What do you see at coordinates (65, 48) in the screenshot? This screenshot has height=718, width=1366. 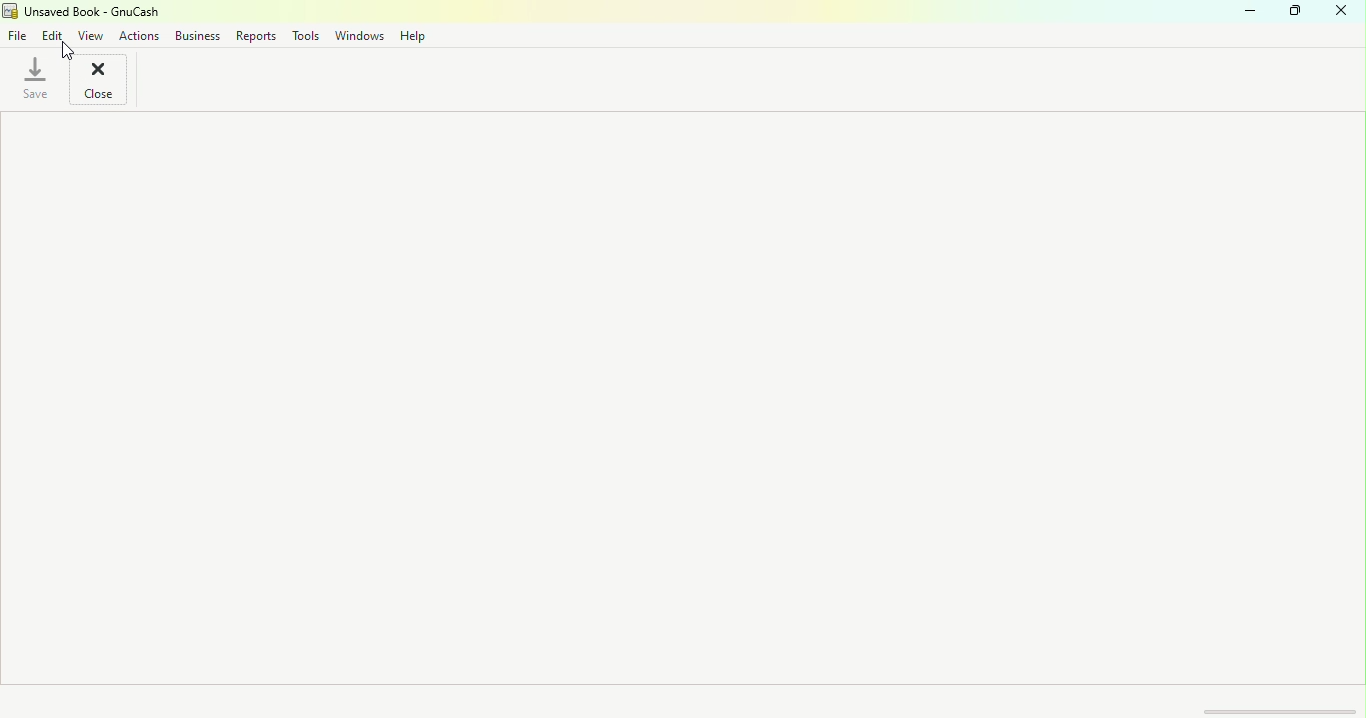 I see `cursor` at bounding box center [65, 48].